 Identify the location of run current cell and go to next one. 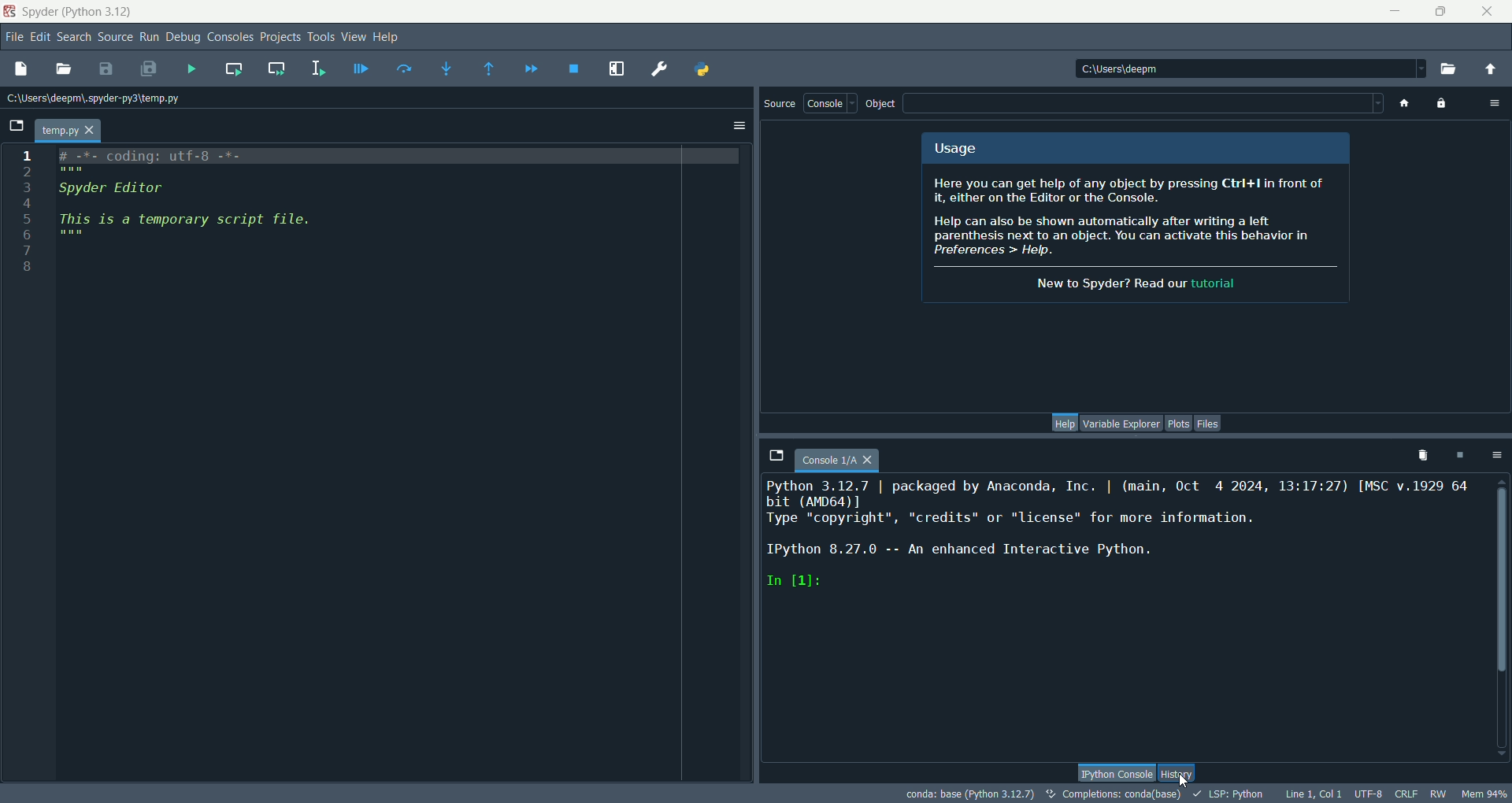
(278, 67).